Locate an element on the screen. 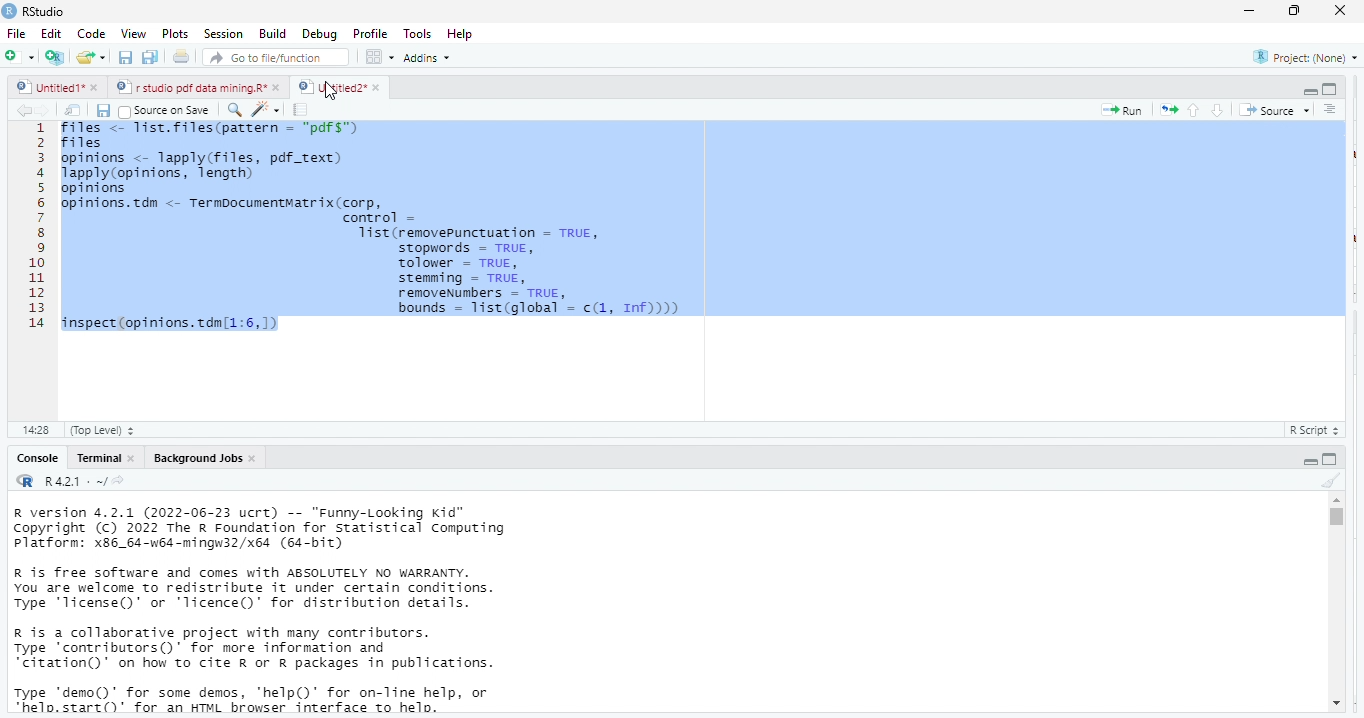  compile report is located at coordinates (303, 110).